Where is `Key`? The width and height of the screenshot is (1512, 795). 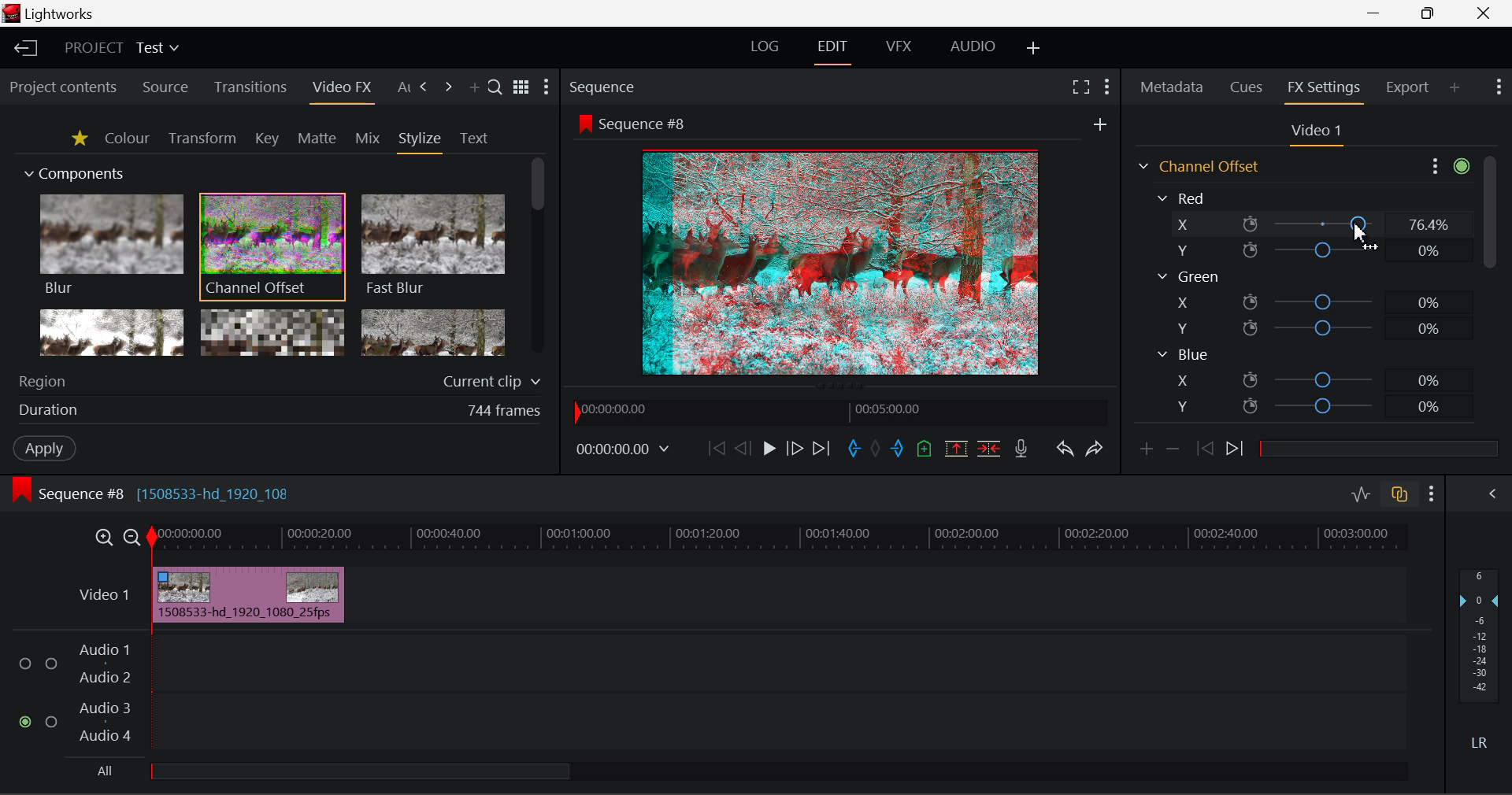 Key is located at coordinates (265, 139).